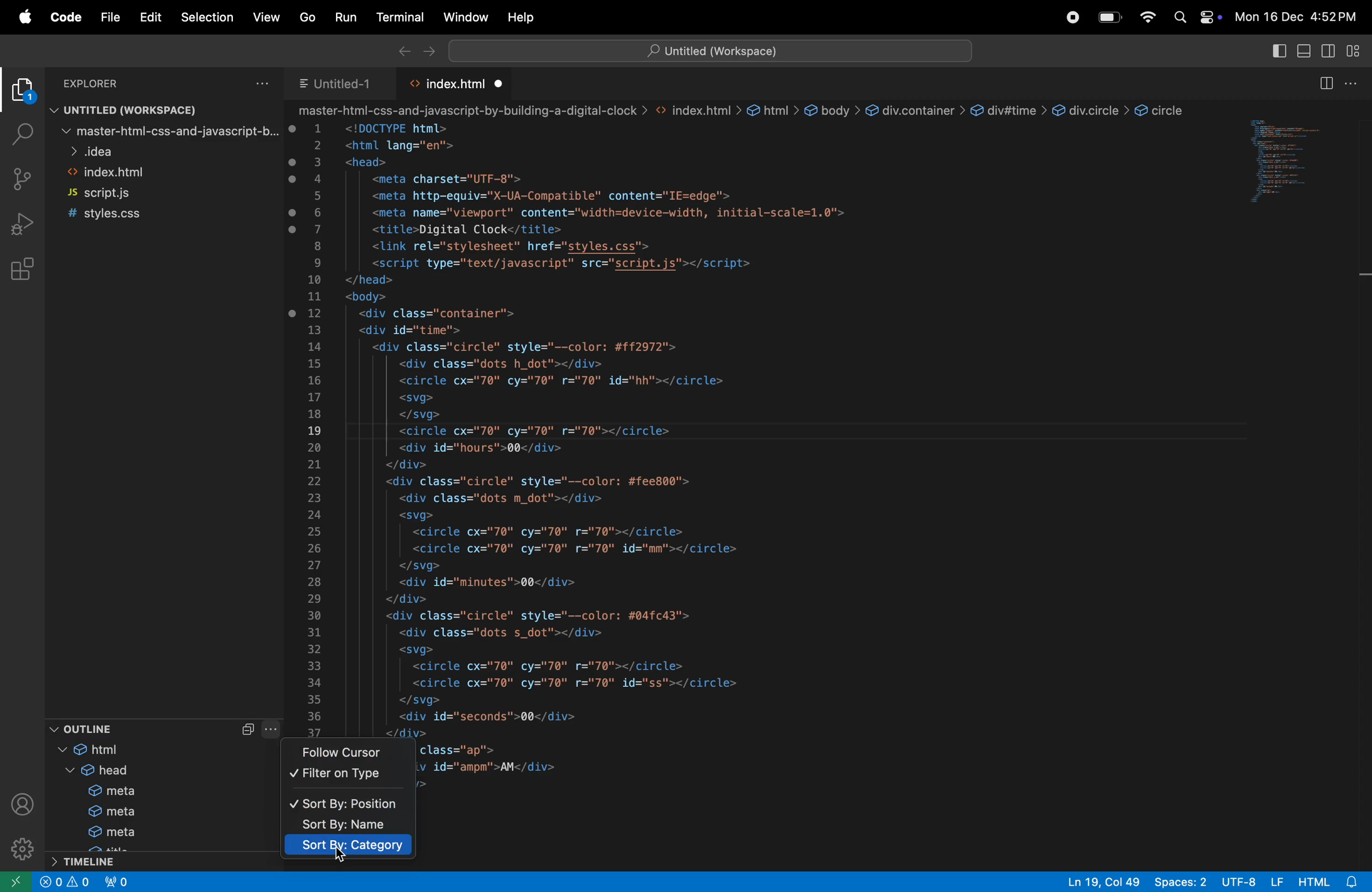  Describe the element at coordinates (103, 790) in the screenshot. I see `meta` at that location.